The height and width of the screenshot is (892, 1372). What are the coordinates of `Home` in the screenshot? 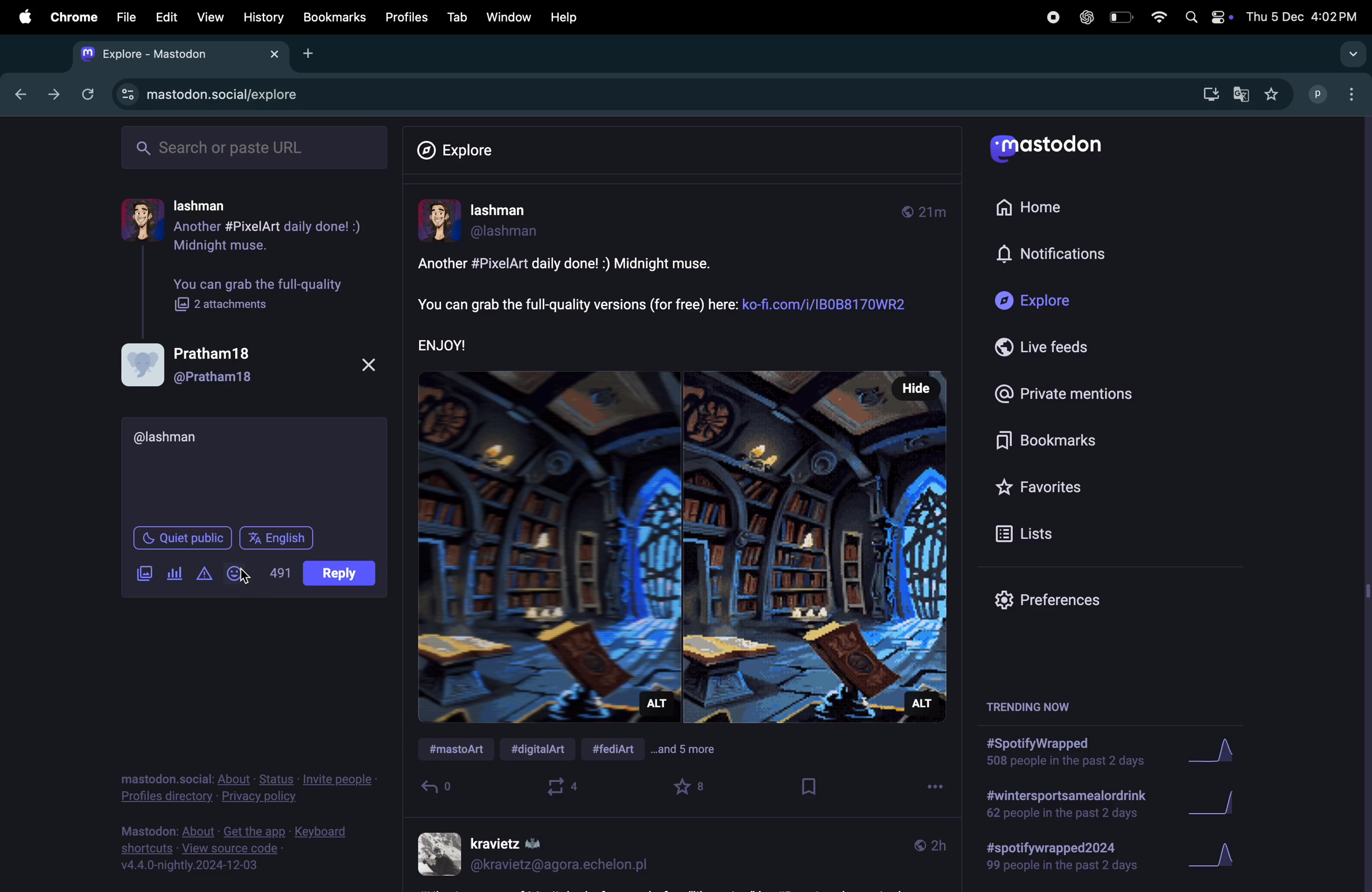 It's located at (1051, 211).